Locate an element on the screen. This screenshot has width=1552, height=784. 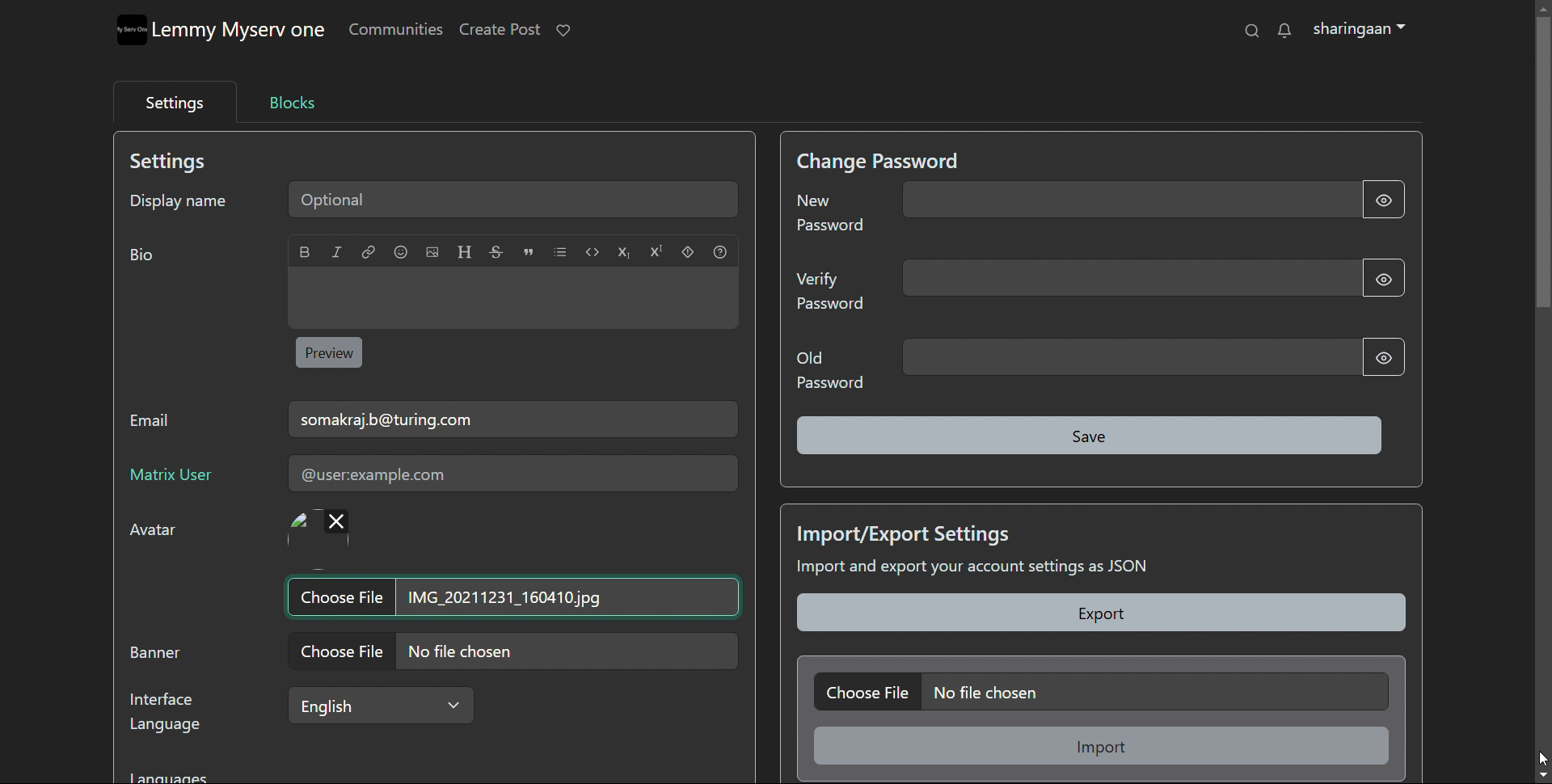
email is located at coordinates (512, 419).